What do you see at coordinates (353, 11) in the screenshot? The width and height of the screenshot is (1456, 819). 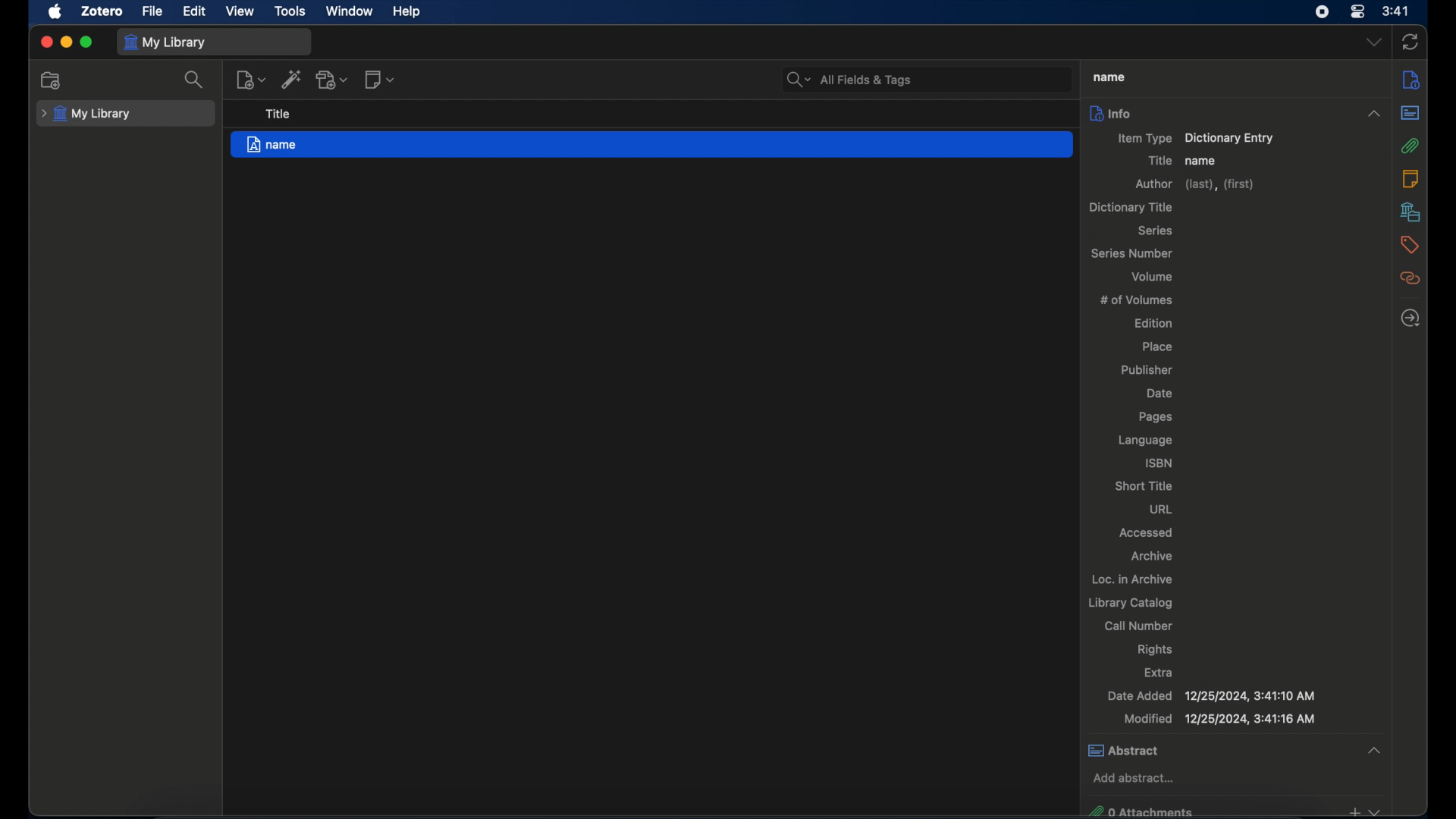 I see `window` at bounding box center [353, 11].